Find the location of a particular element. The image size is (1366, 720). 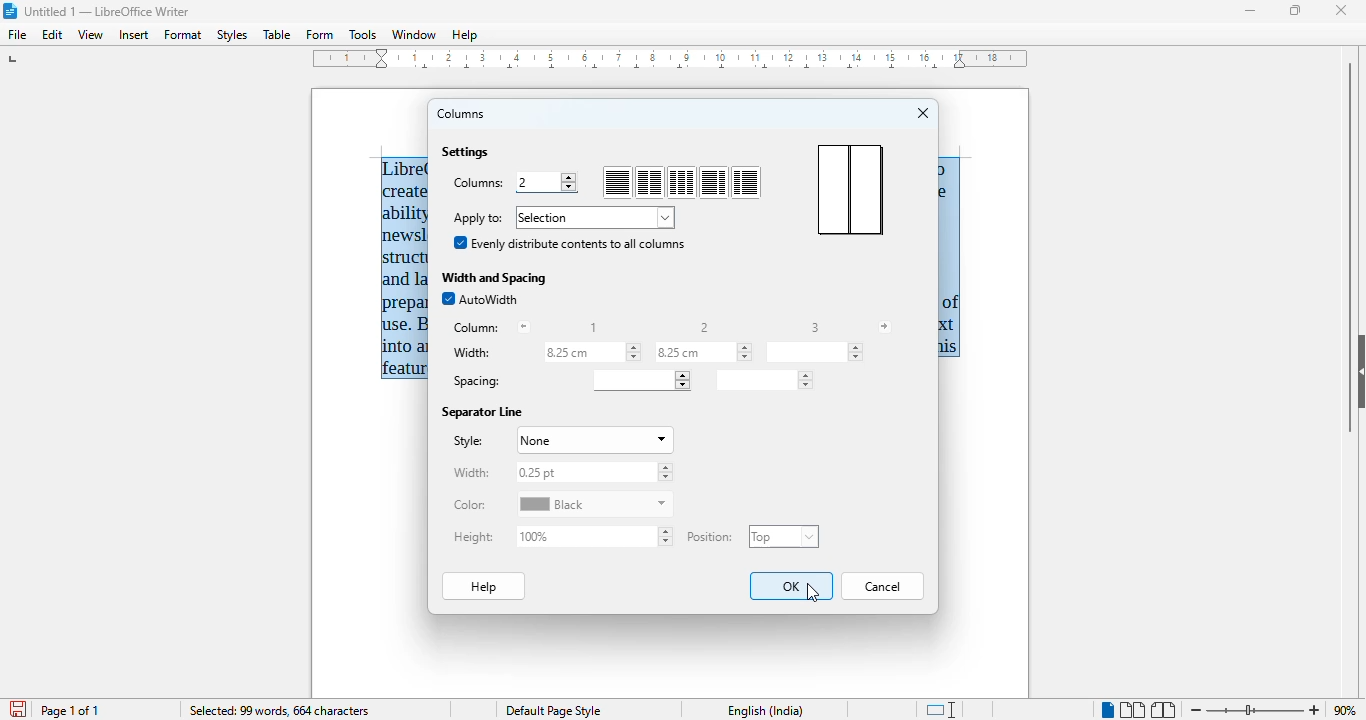

8.25 cm is located at coordinates (703, 352).